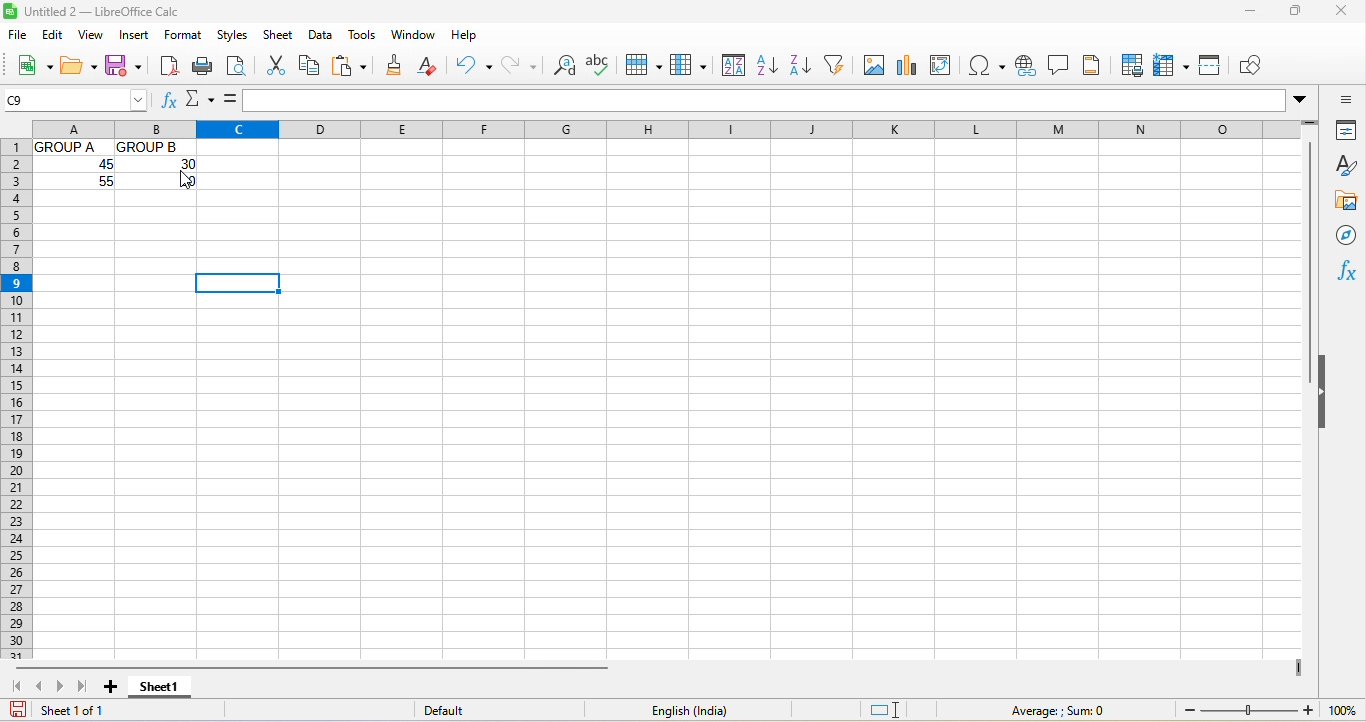  Describe the element at coordinates (686, 711) in the screenshot. I see `English (India)` at that location.